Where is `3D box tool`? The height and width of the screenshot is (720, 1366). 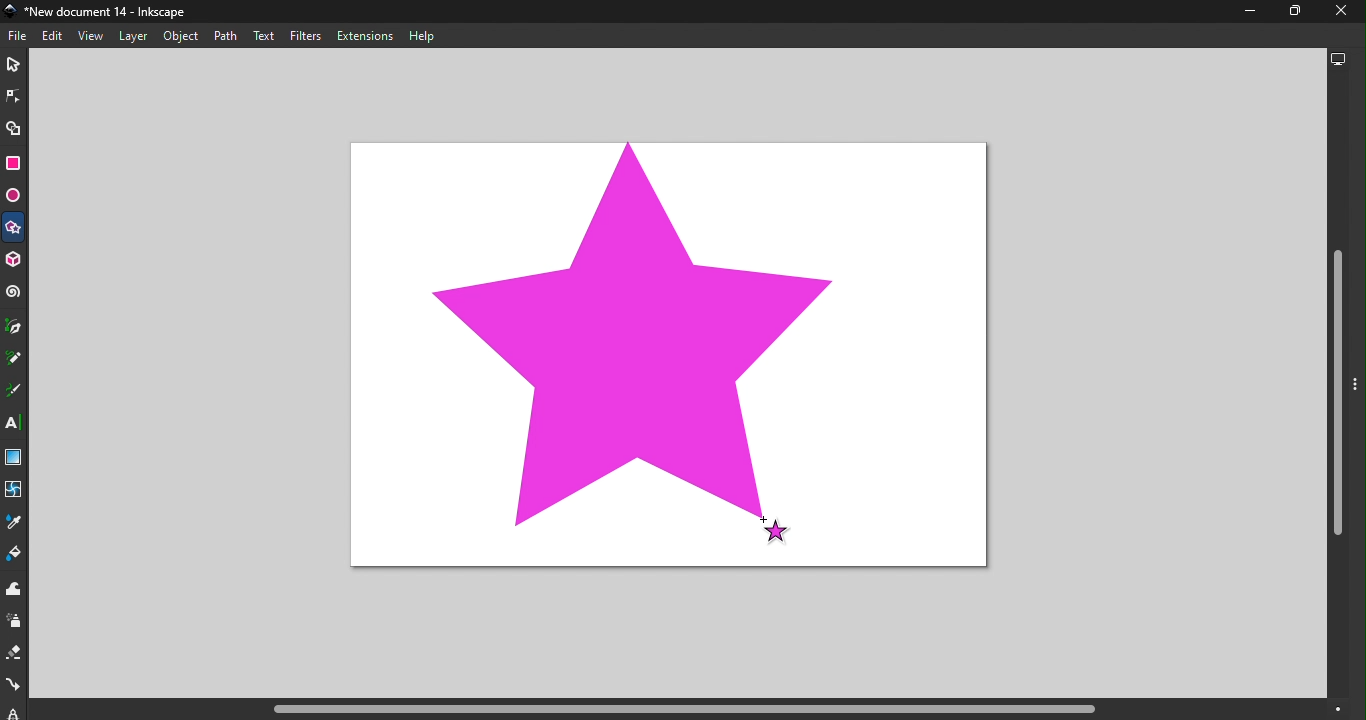
3D box tool is located at coordinates (15, 262).